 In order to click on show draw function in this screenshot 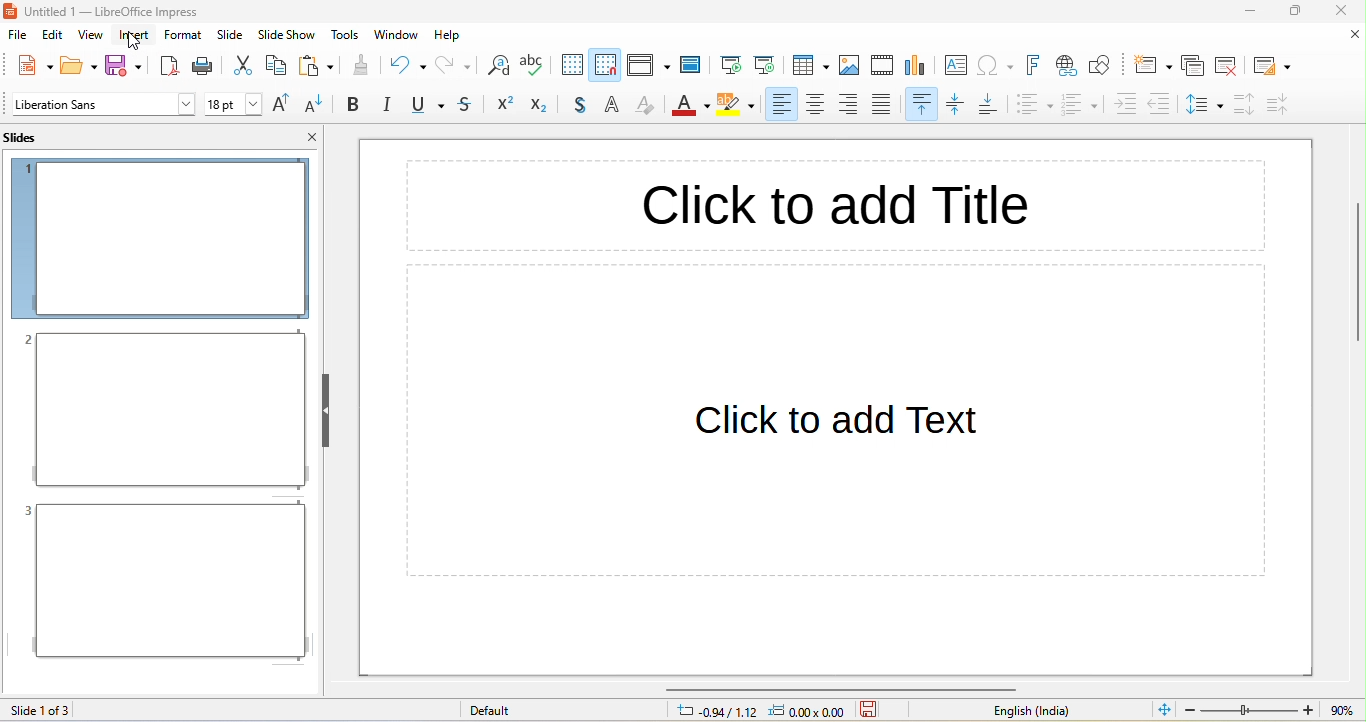, I will do `click(1104, 66)`.